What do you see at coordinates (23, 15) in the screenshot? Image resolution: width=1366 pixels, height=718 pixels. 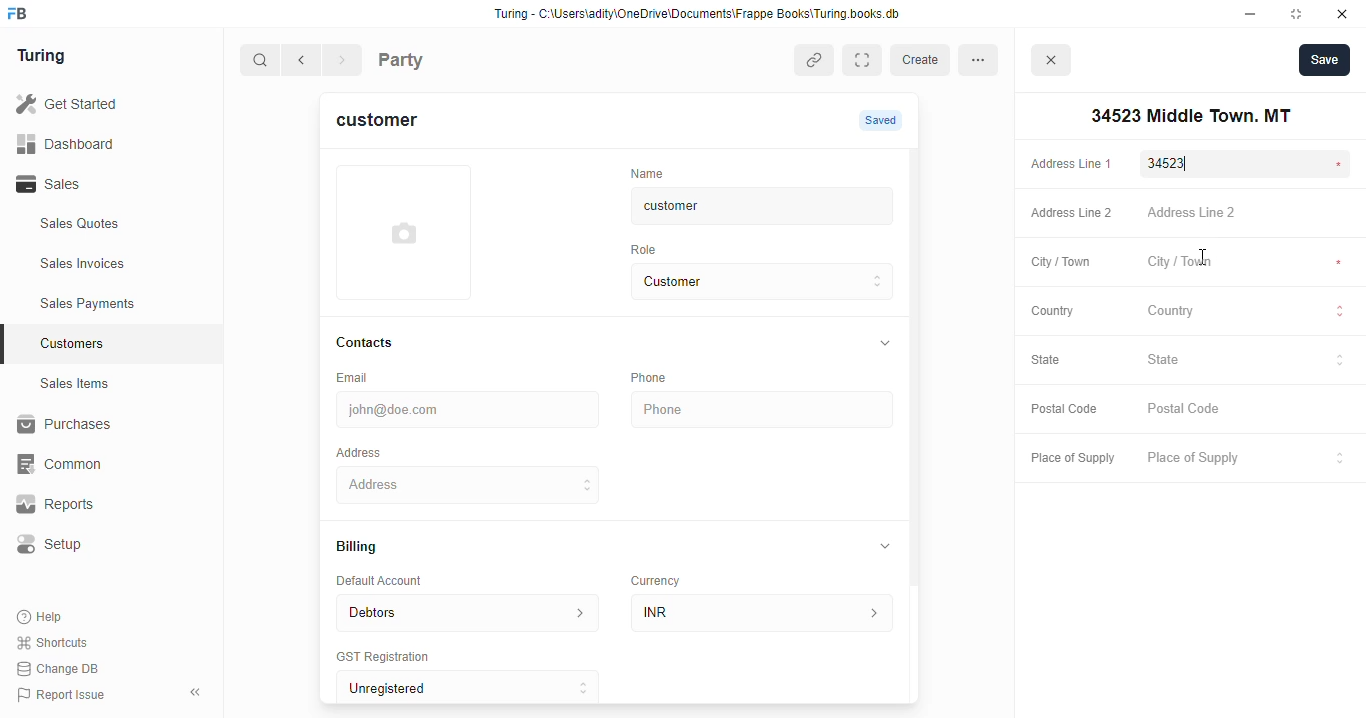 I see `frappebooks logo` at bounding box center [23, 15].